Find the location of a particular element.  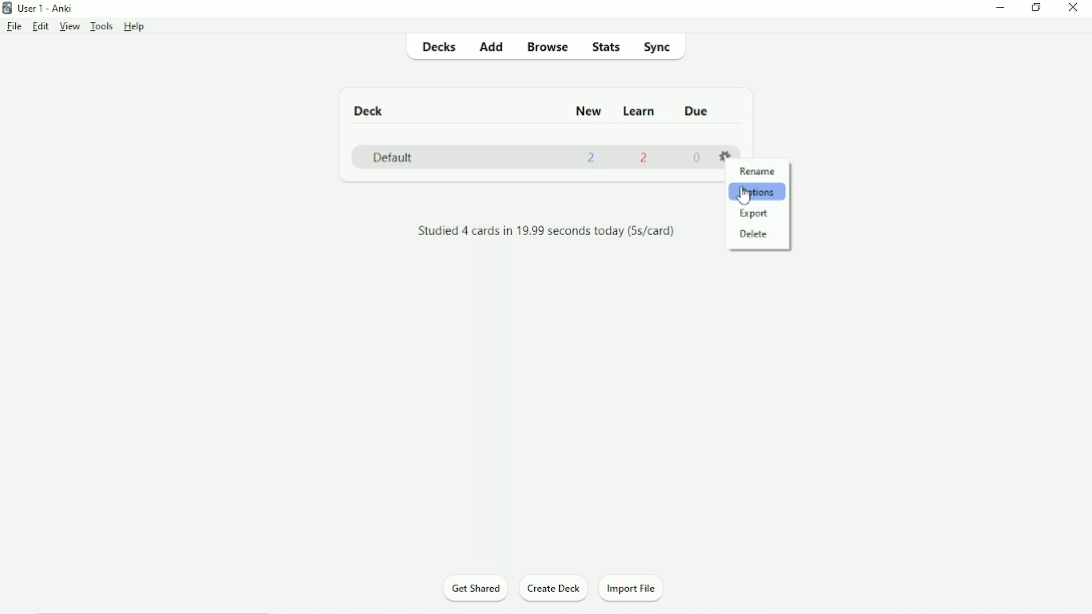

Edit is located at coordinates (41, 26).